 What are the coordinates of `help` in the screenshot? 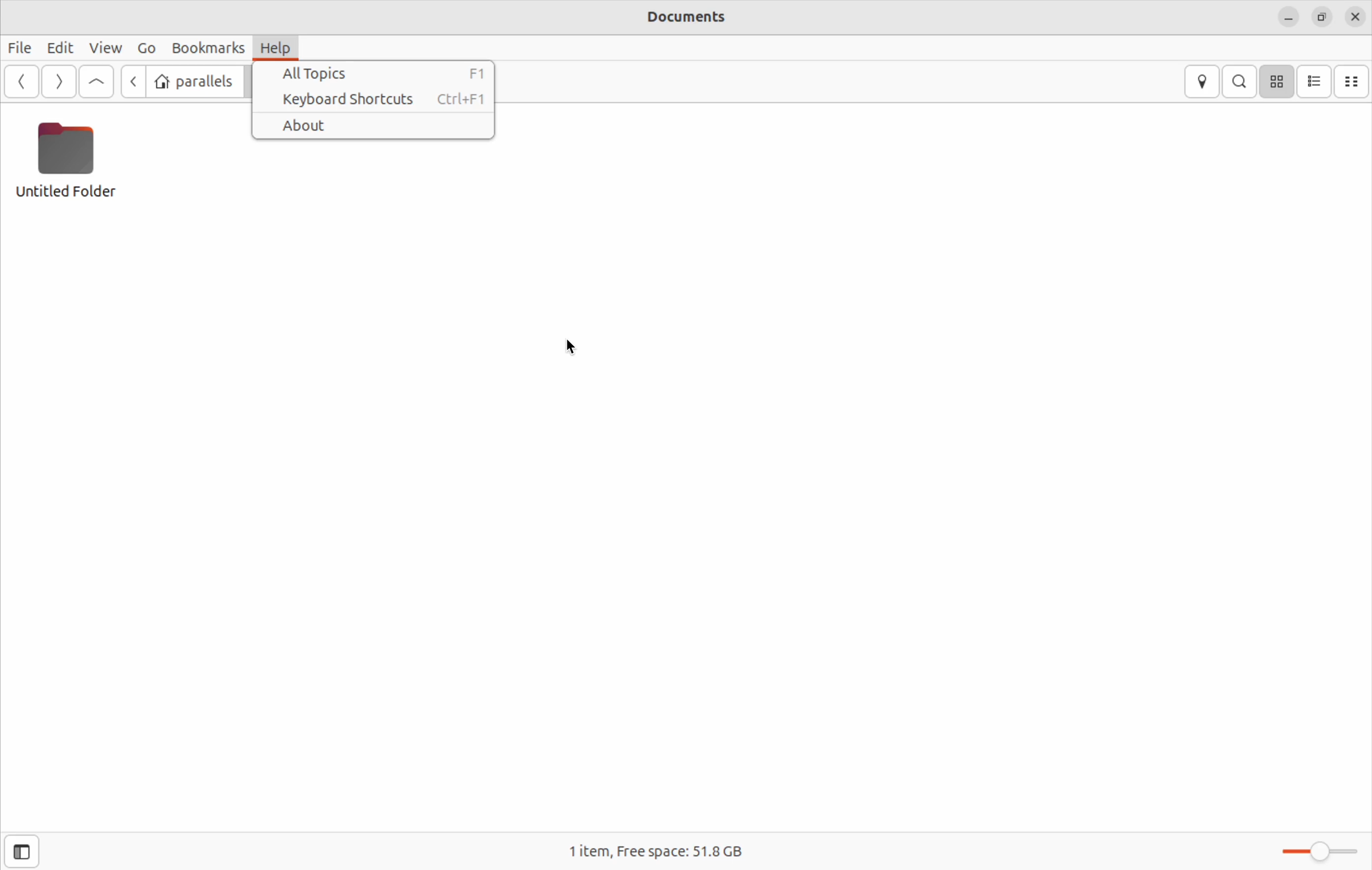 It's located at (279, 48).